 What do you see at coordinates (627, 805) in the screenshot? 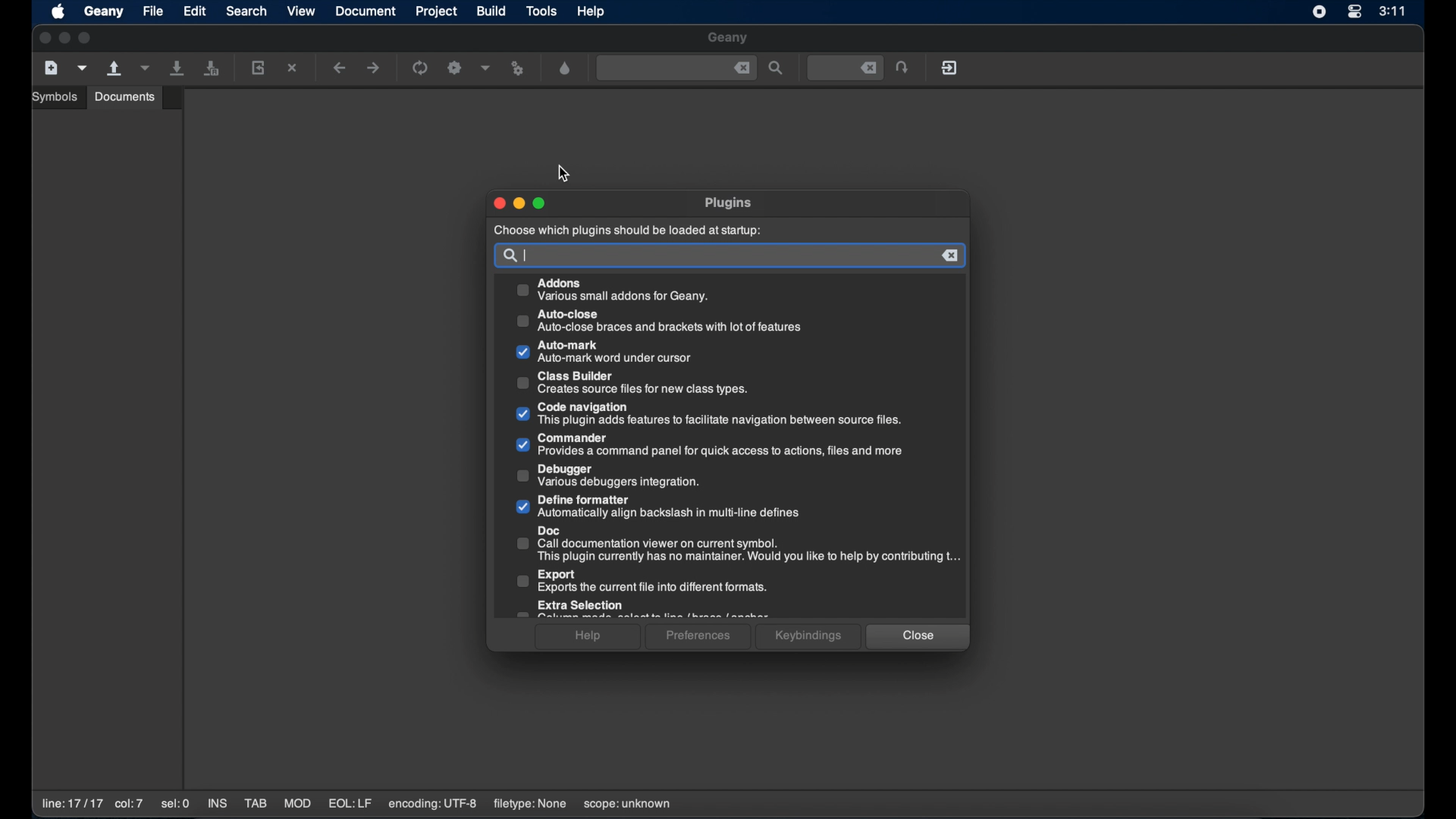
I see `scope:` at bounding box center [627, 805].